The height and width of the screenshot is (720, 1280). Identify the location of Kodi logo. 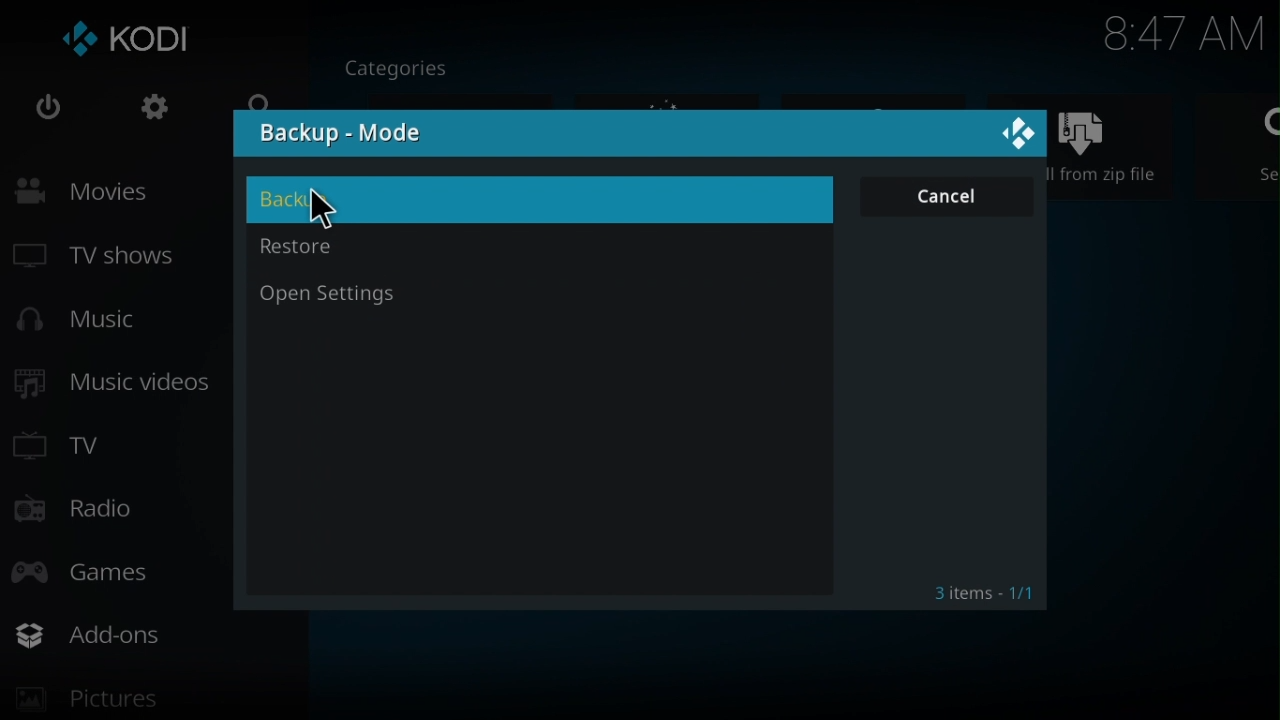
(129, 42).